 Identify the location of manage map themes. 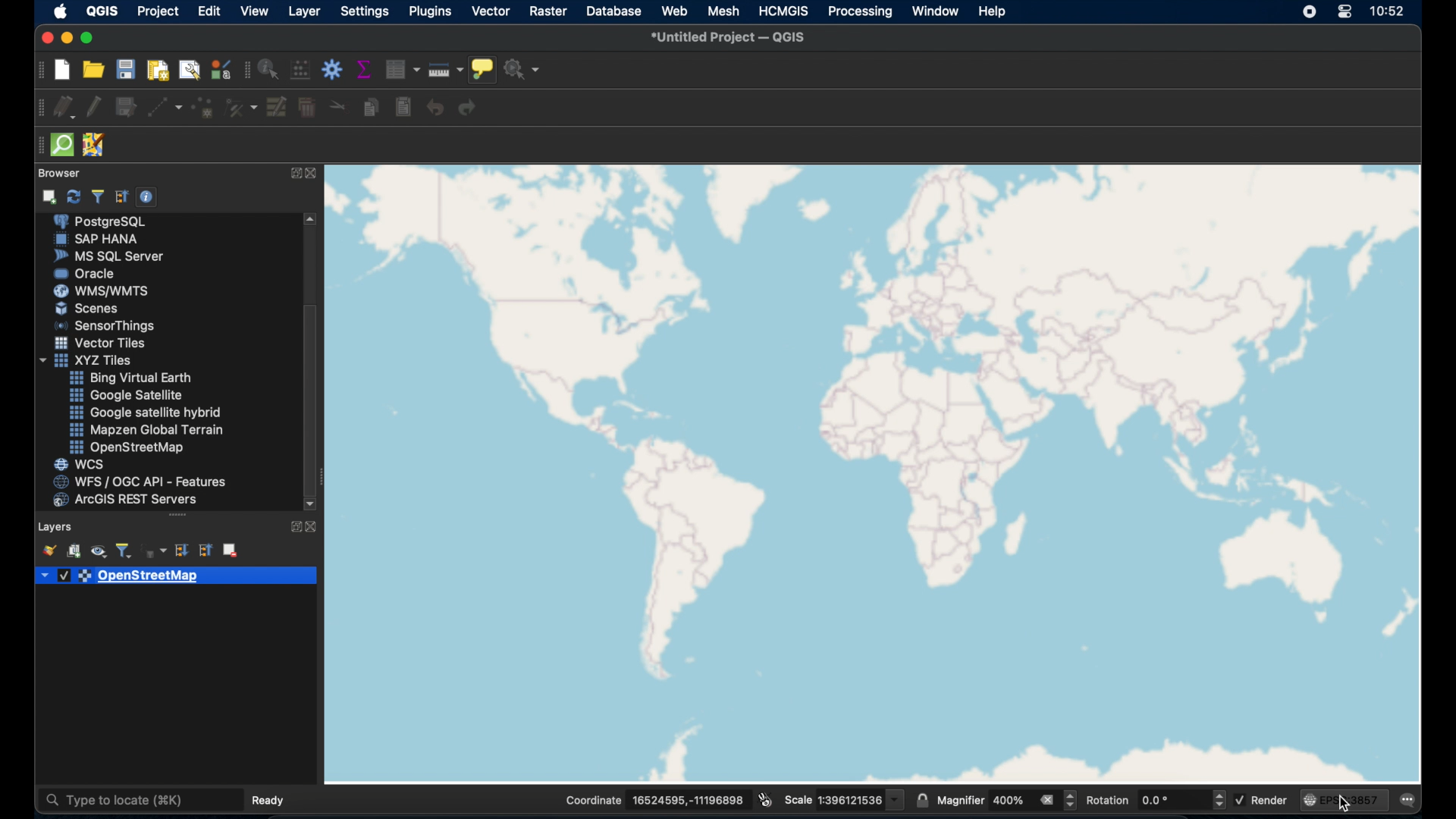
(98, 551).